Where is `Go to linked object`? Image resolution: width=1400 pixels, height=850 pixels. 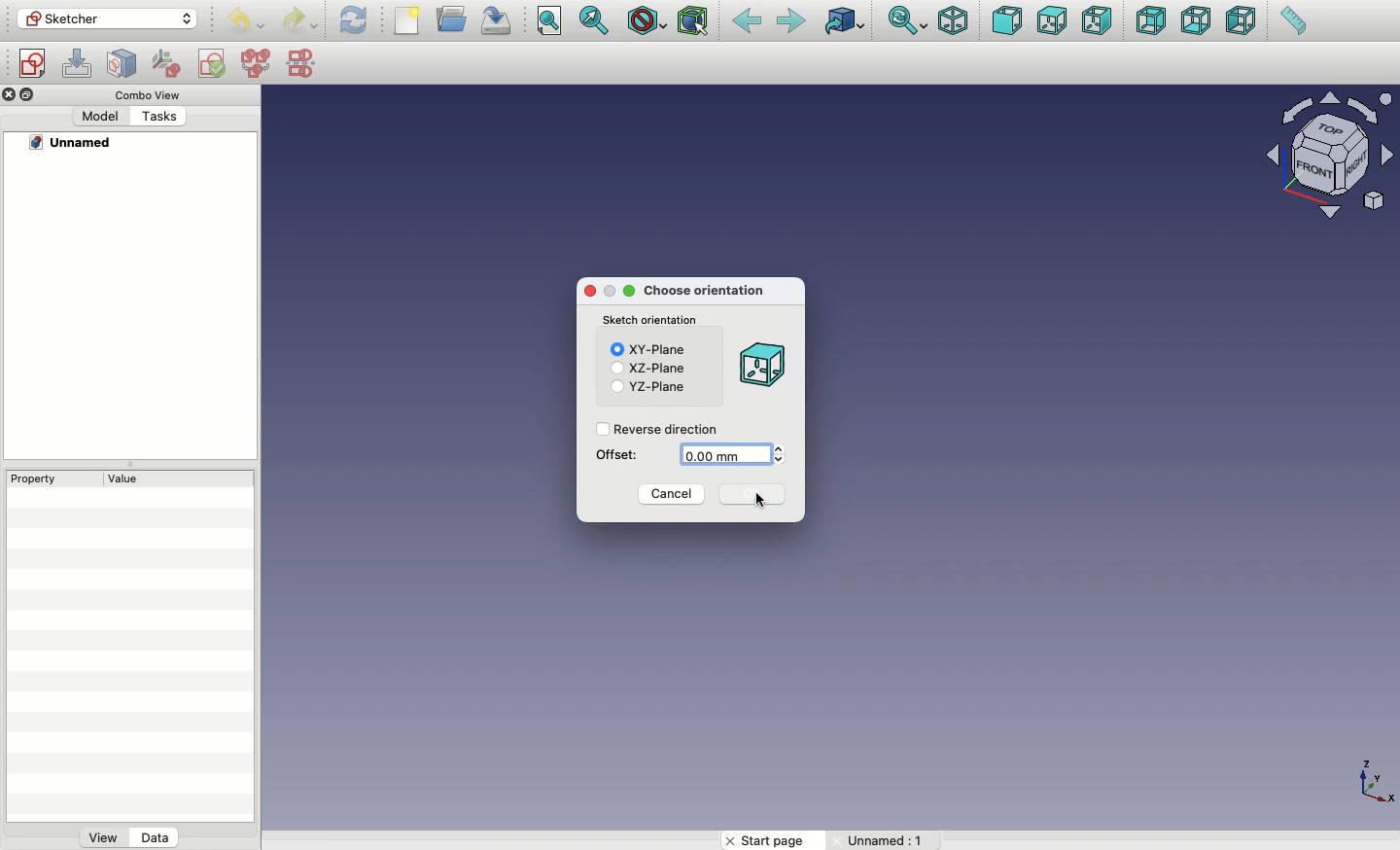 Go to linked object is located at coordinates (844, 20).